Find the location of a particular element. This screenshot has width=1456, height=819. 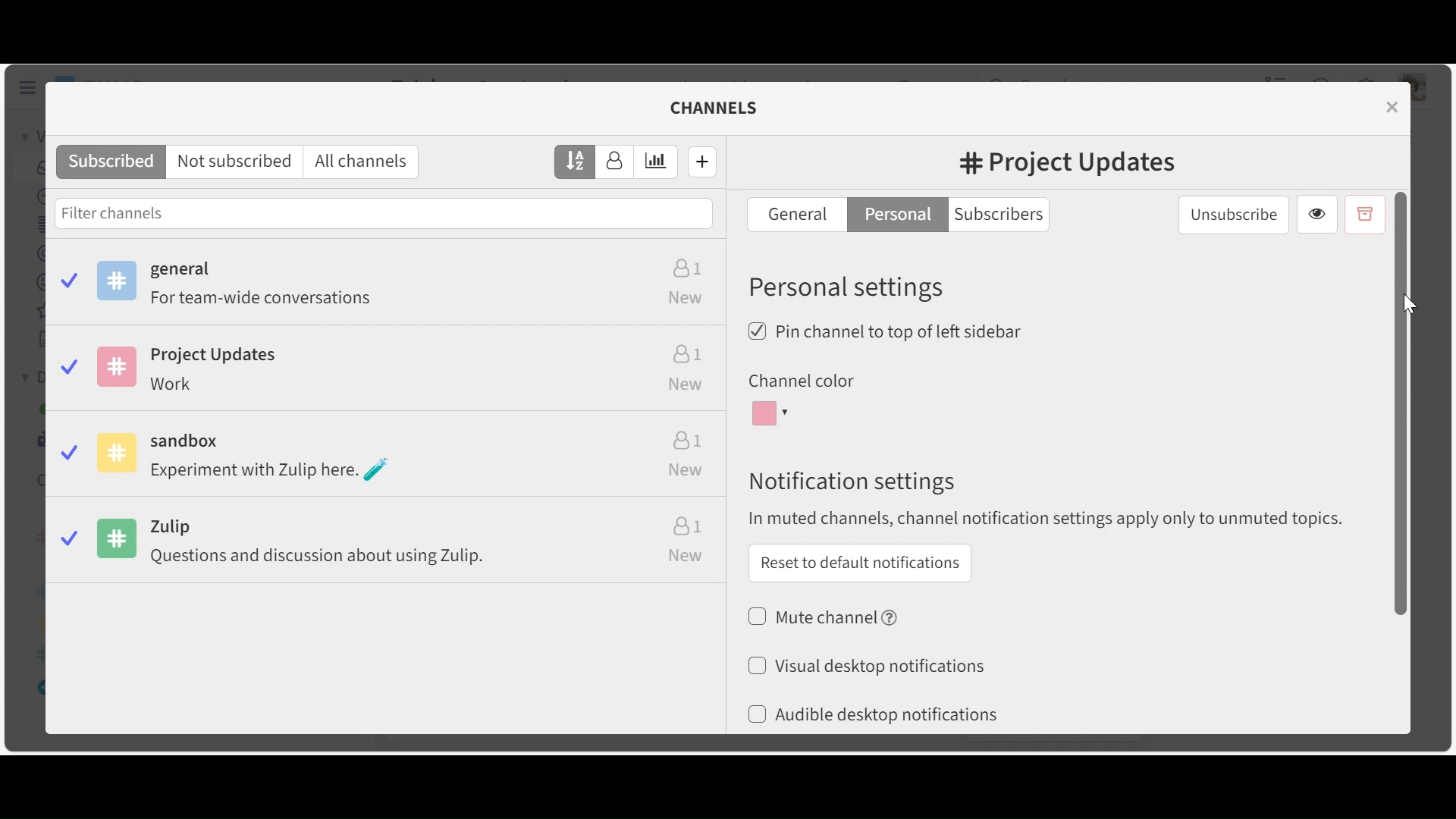

Personal Settings is located at coordinates (849, 286).